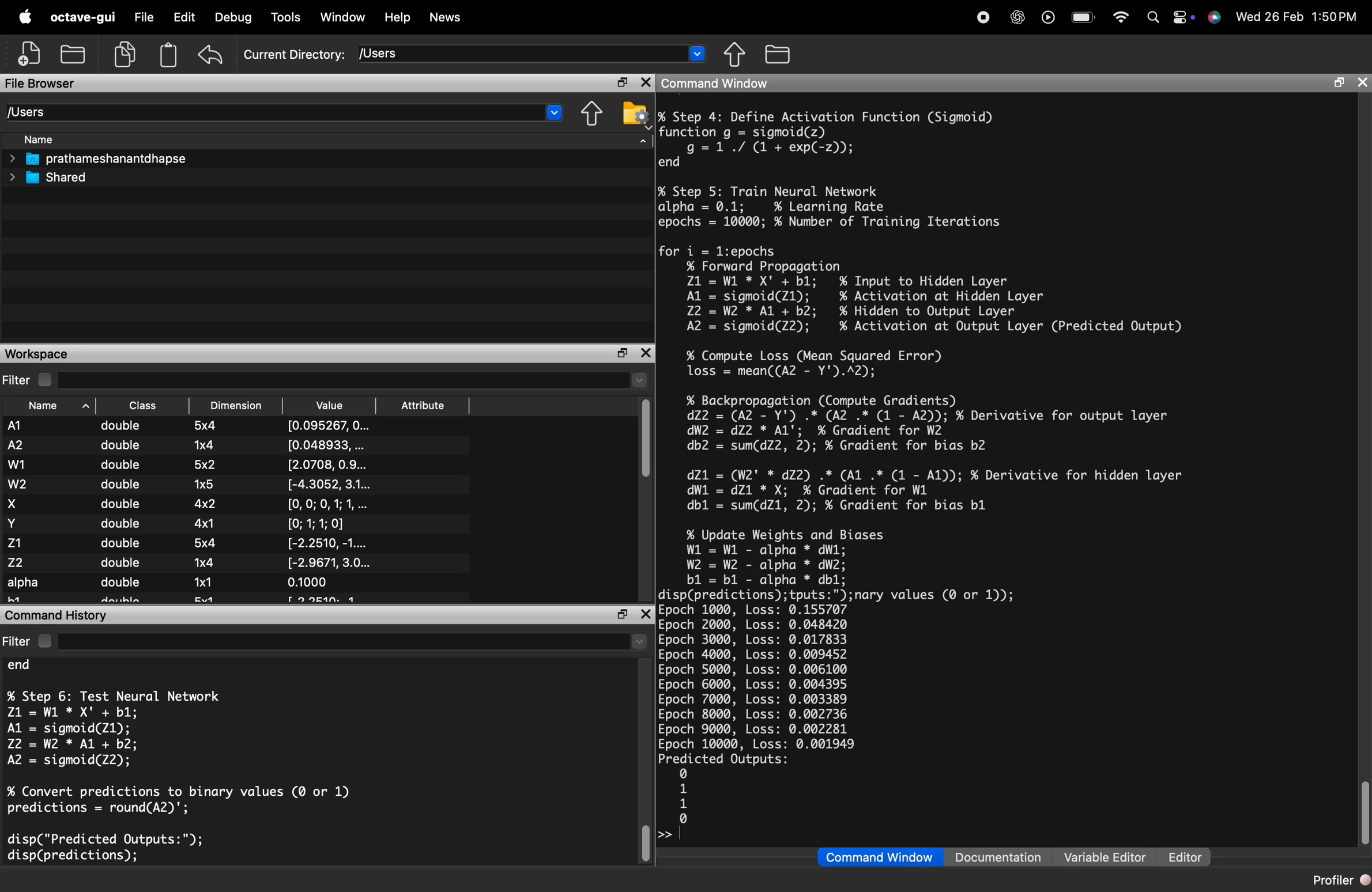 The image size is (1372, 892). What do you see at coordinates (623, 84) in the screenshot?
I see `Maximize` at bounding box center [623, 84].